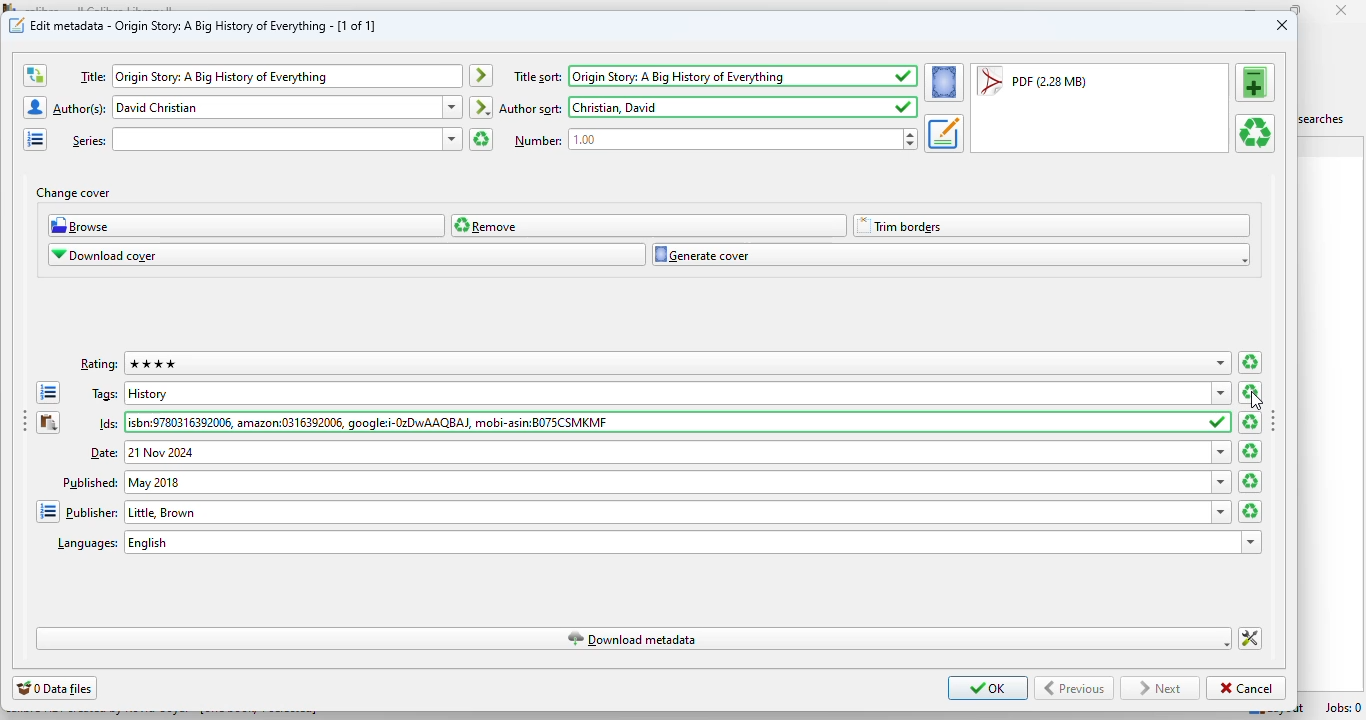 This screenshot has width=1366, height=720. I want to click on toggle sidebar, so click(1274, 419).